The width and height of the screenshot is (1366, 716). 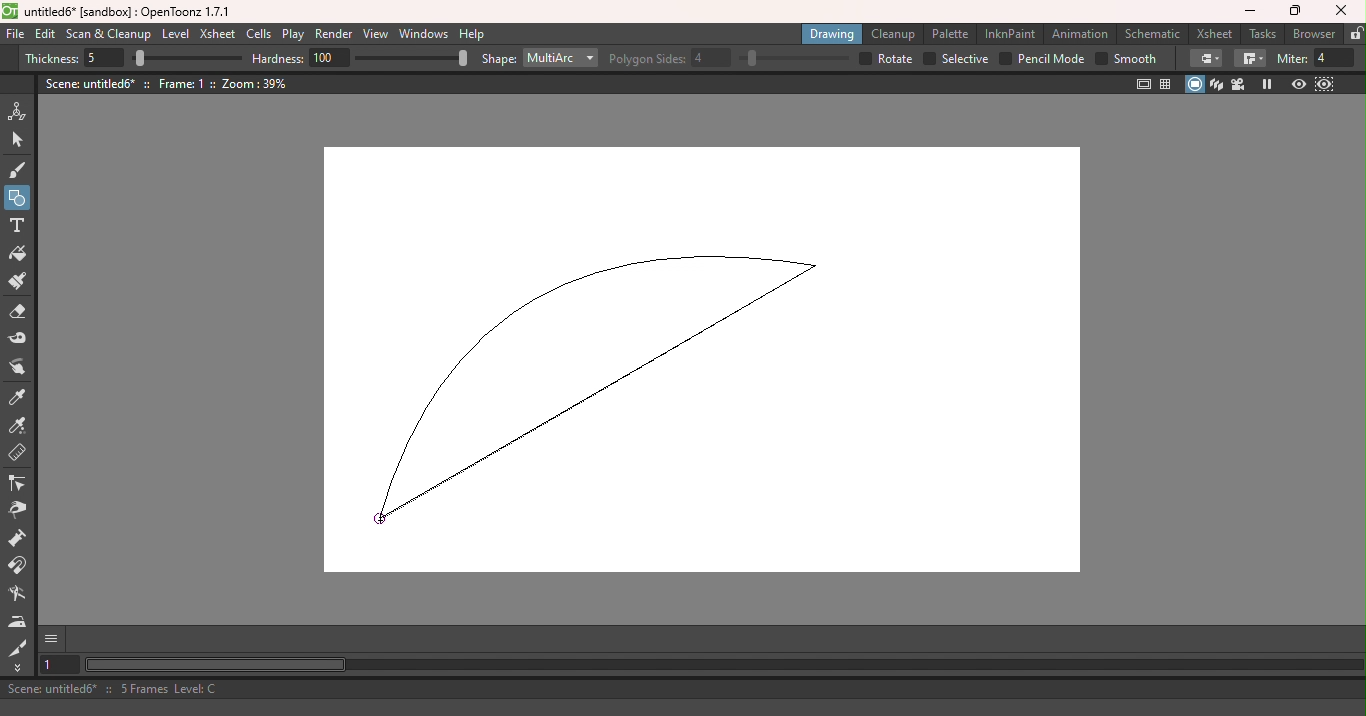 What do you see at coordinates (723, 665) in the screenshot?
I see `Horizontal scroll bar` at bounding box center [723, 665].